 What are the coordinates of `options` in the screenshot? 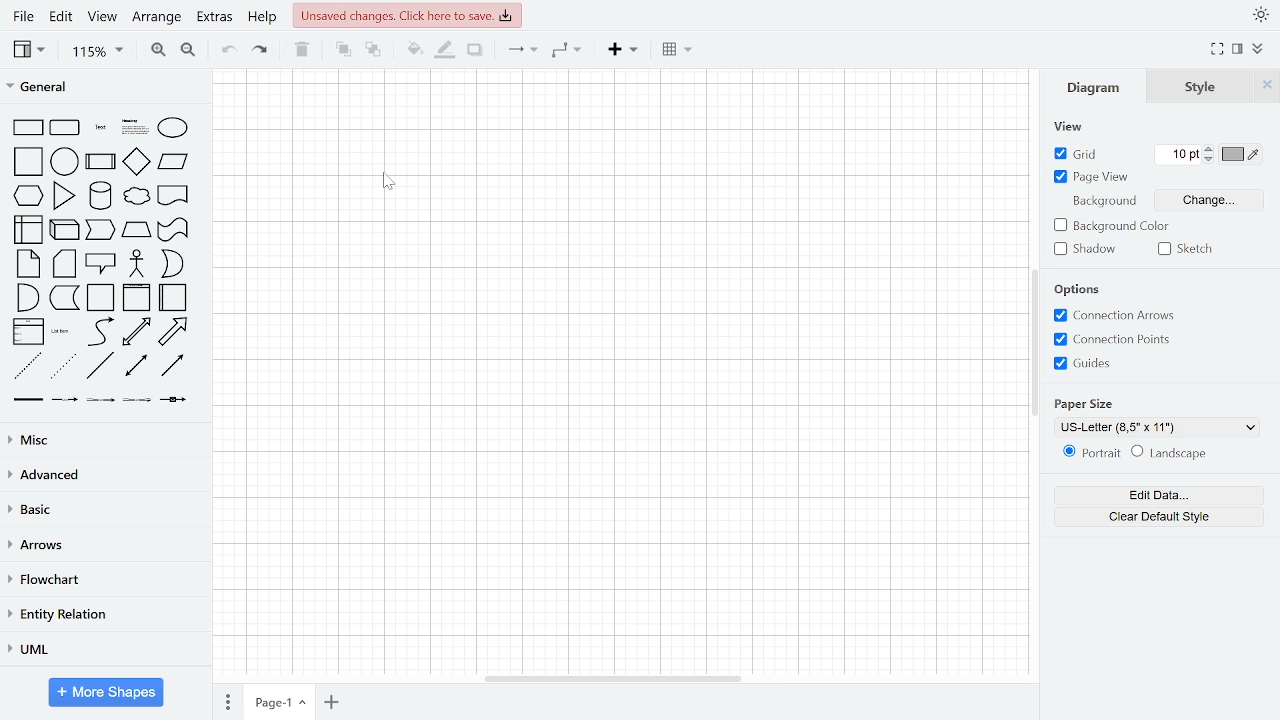 It's located at (1083, 289).